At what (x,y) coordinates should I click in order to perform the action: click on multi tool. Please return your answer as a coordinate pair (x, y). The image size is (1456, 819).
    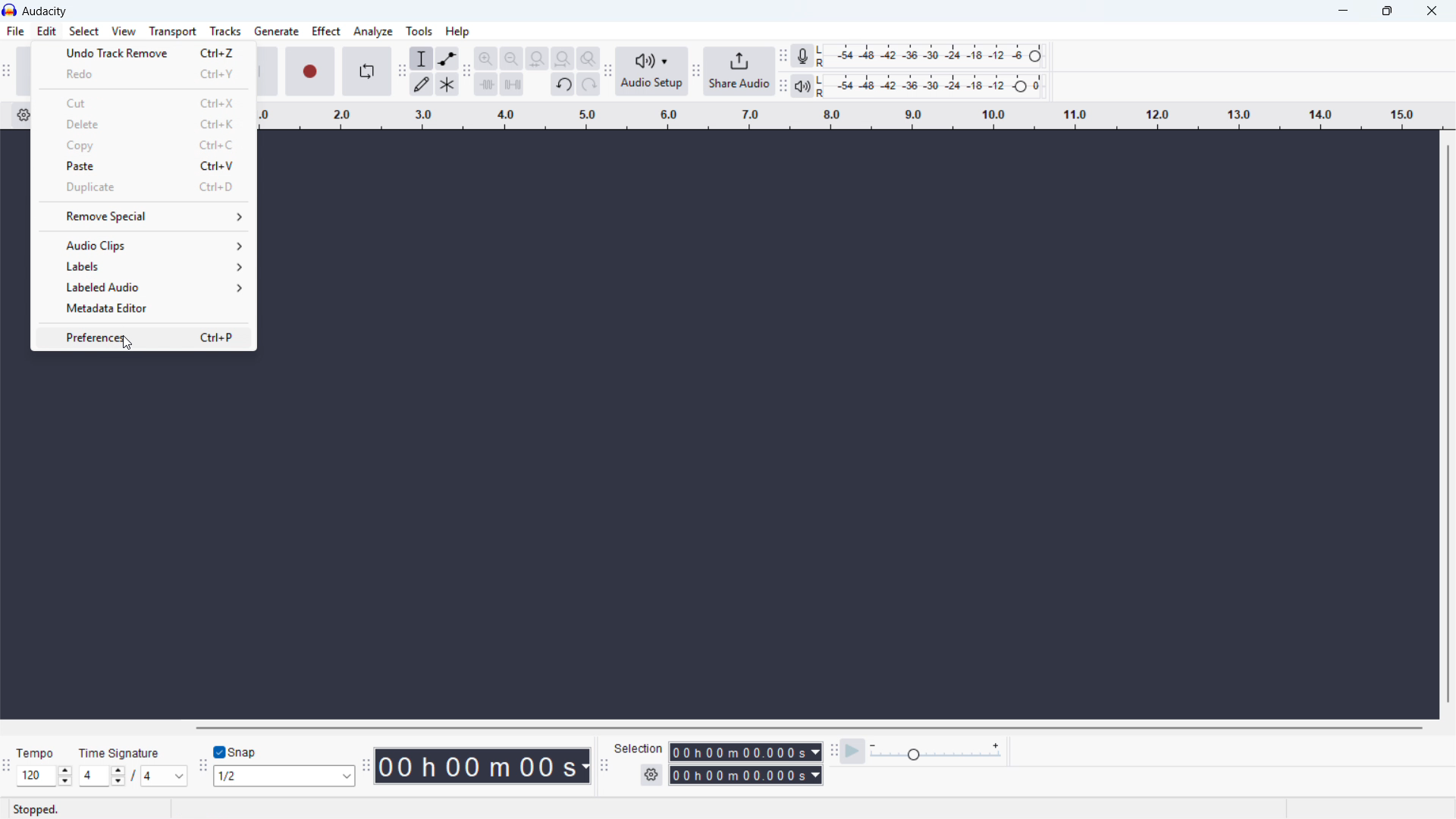
    Looking at the image, I should click on (447, 83).